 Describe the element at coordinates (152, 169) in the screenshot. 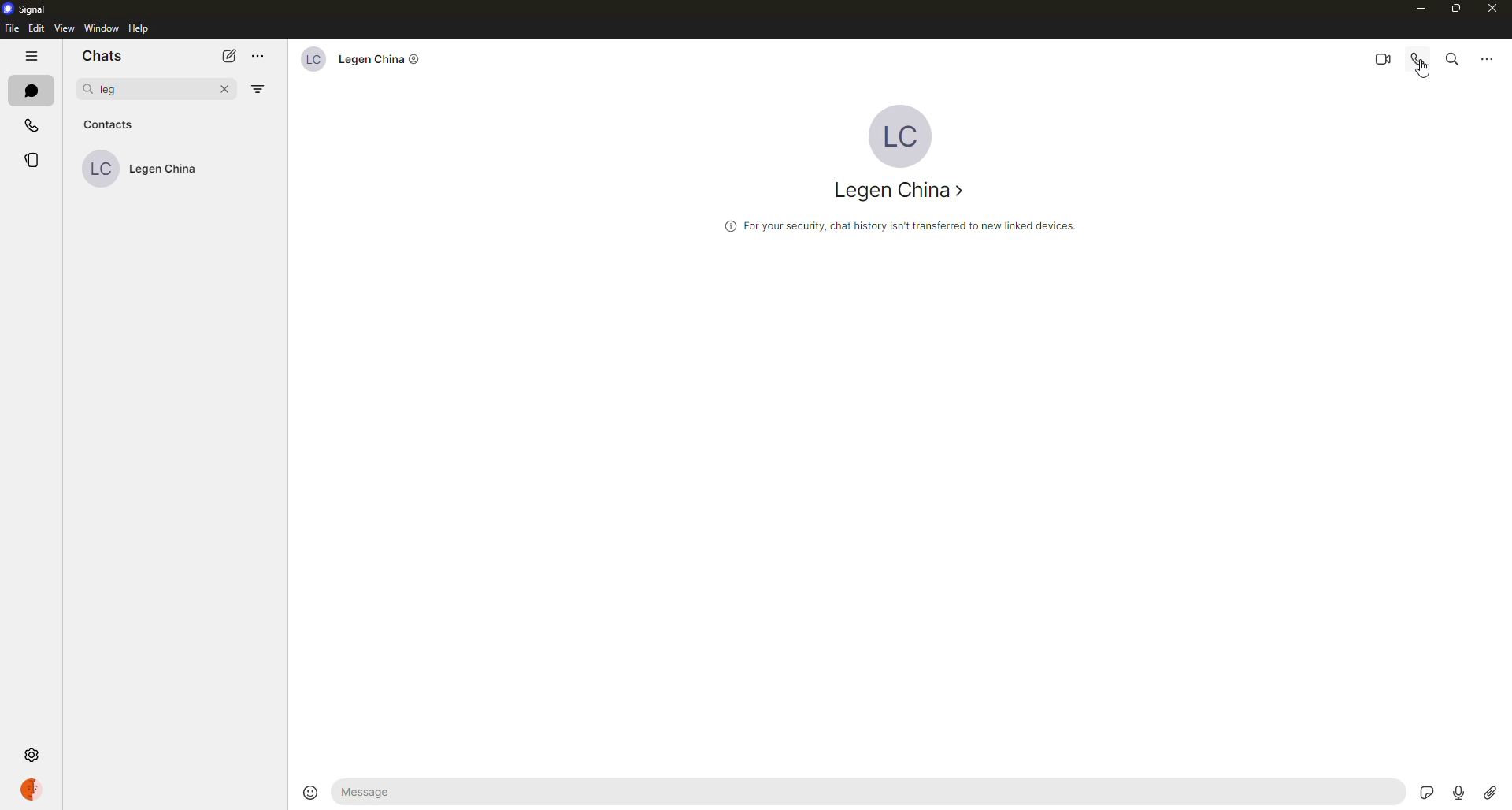

I see `contact` at that location.